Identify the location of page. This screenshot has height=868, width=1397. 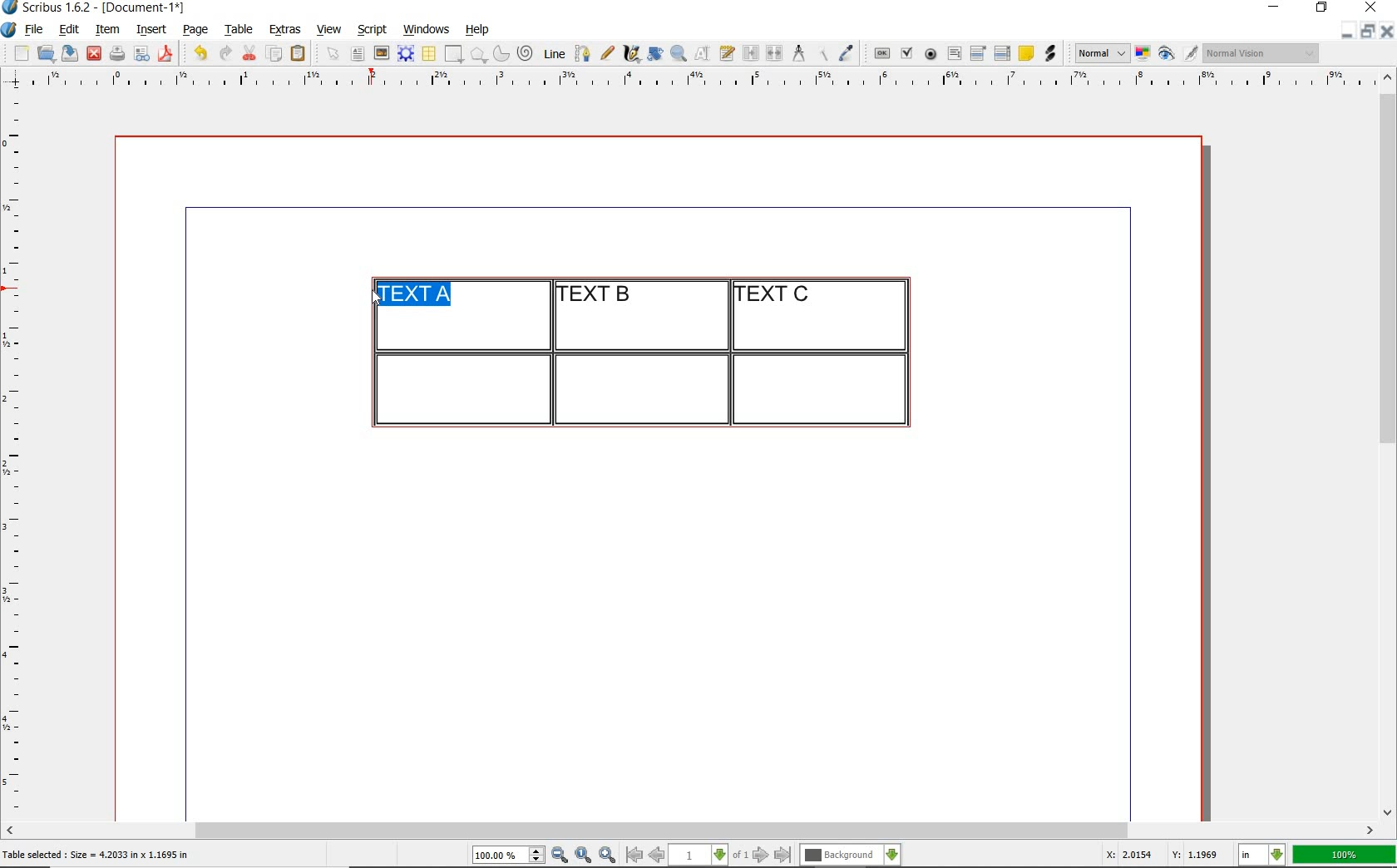
(195, 29).